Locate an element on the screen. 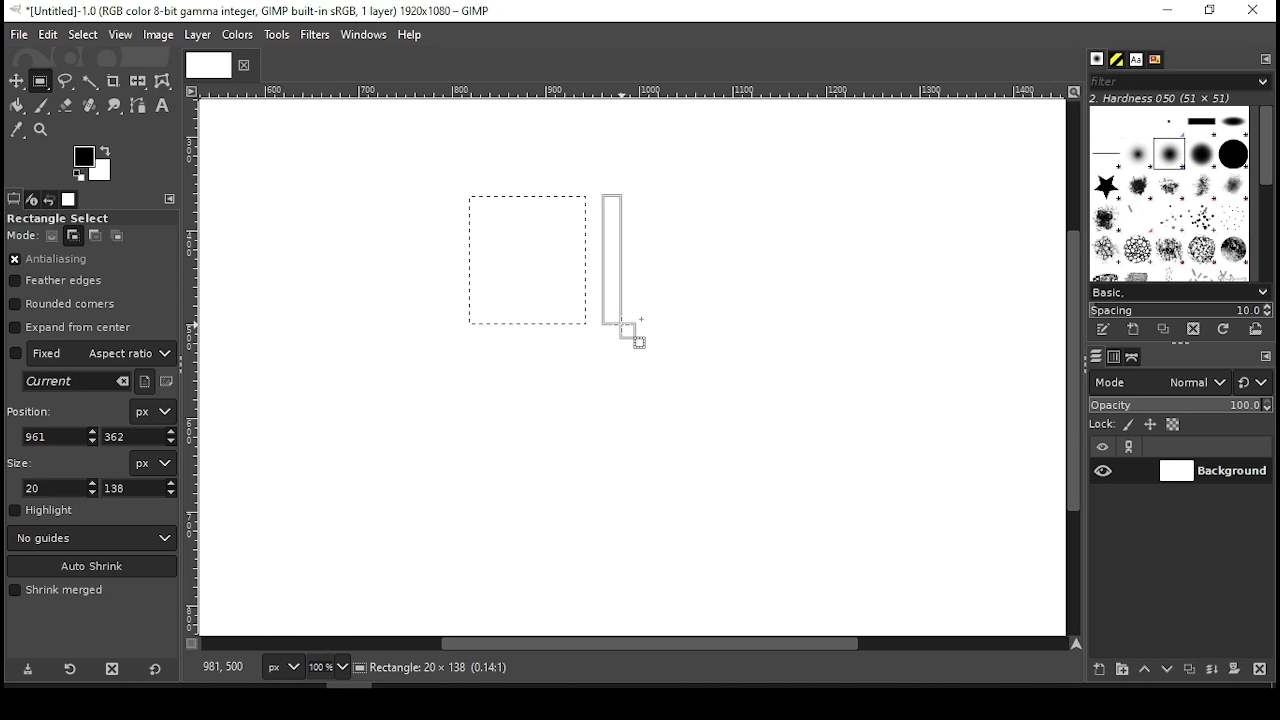 The height and width of the screenshot is (720, 1280). save tool preset is located at coordinates (30, 668).